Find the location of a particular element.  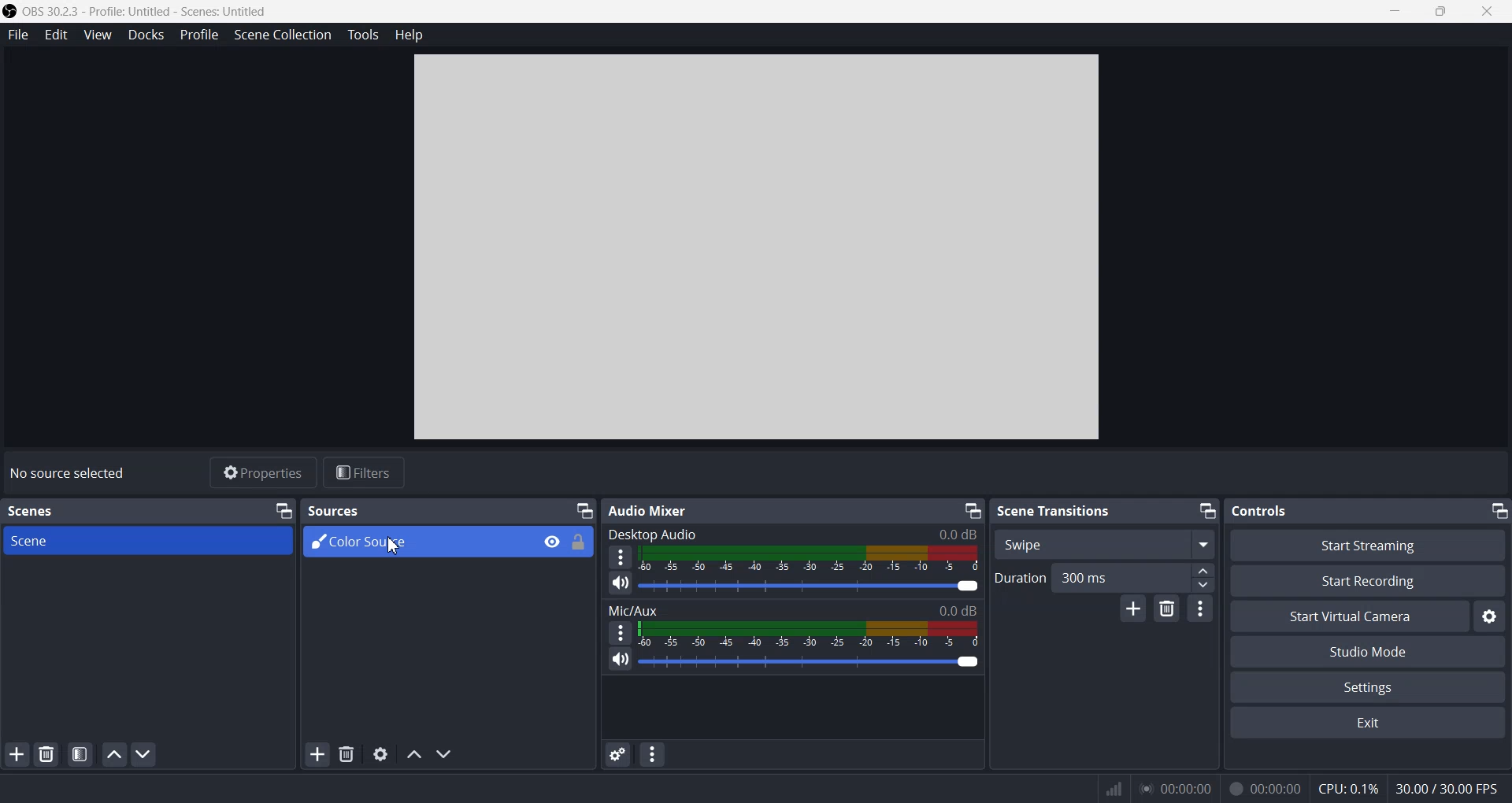

Move Scene UP is located at coordinates (114, 754).